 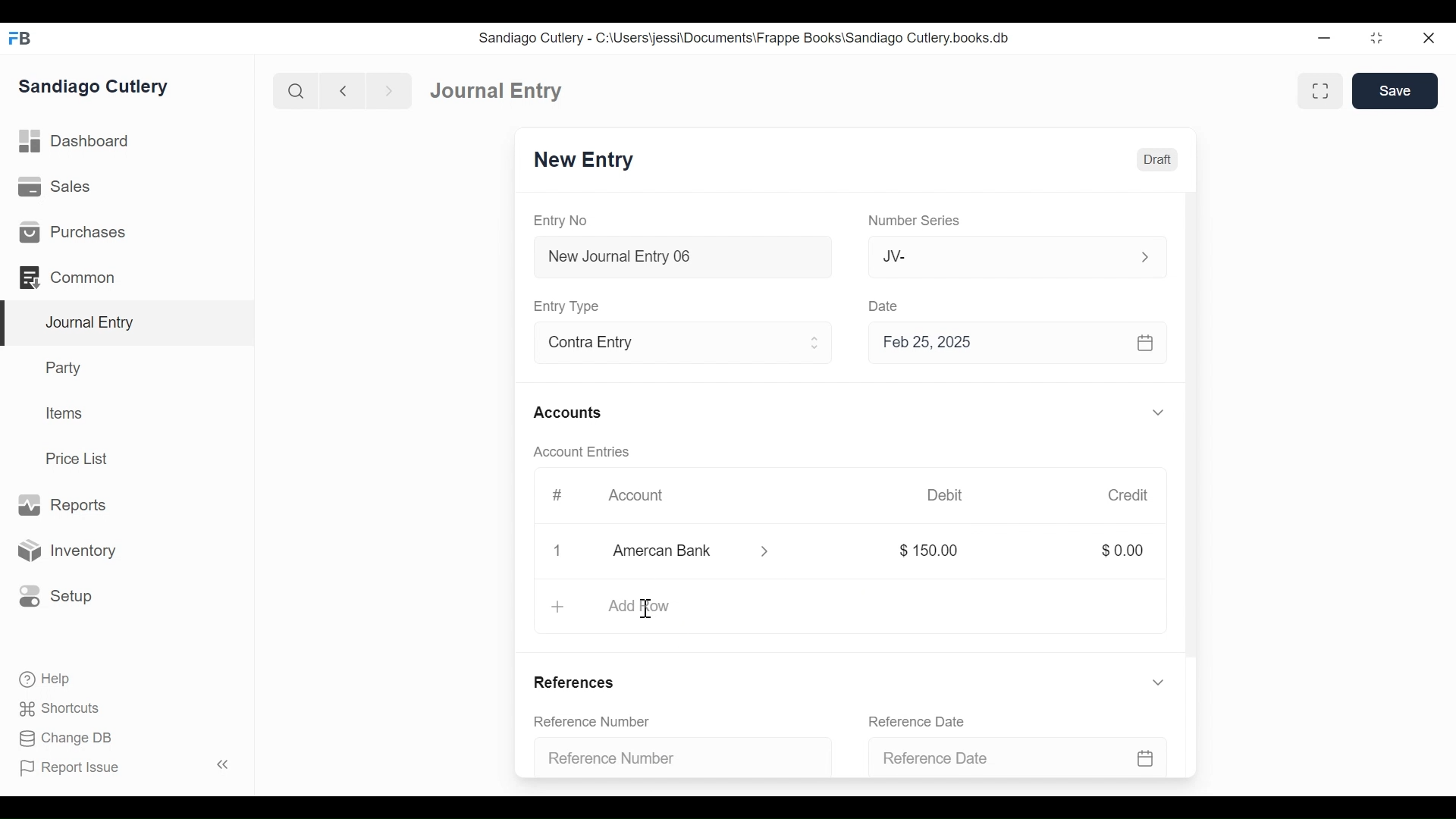 I want to click on References, so click(x=580, y=683).